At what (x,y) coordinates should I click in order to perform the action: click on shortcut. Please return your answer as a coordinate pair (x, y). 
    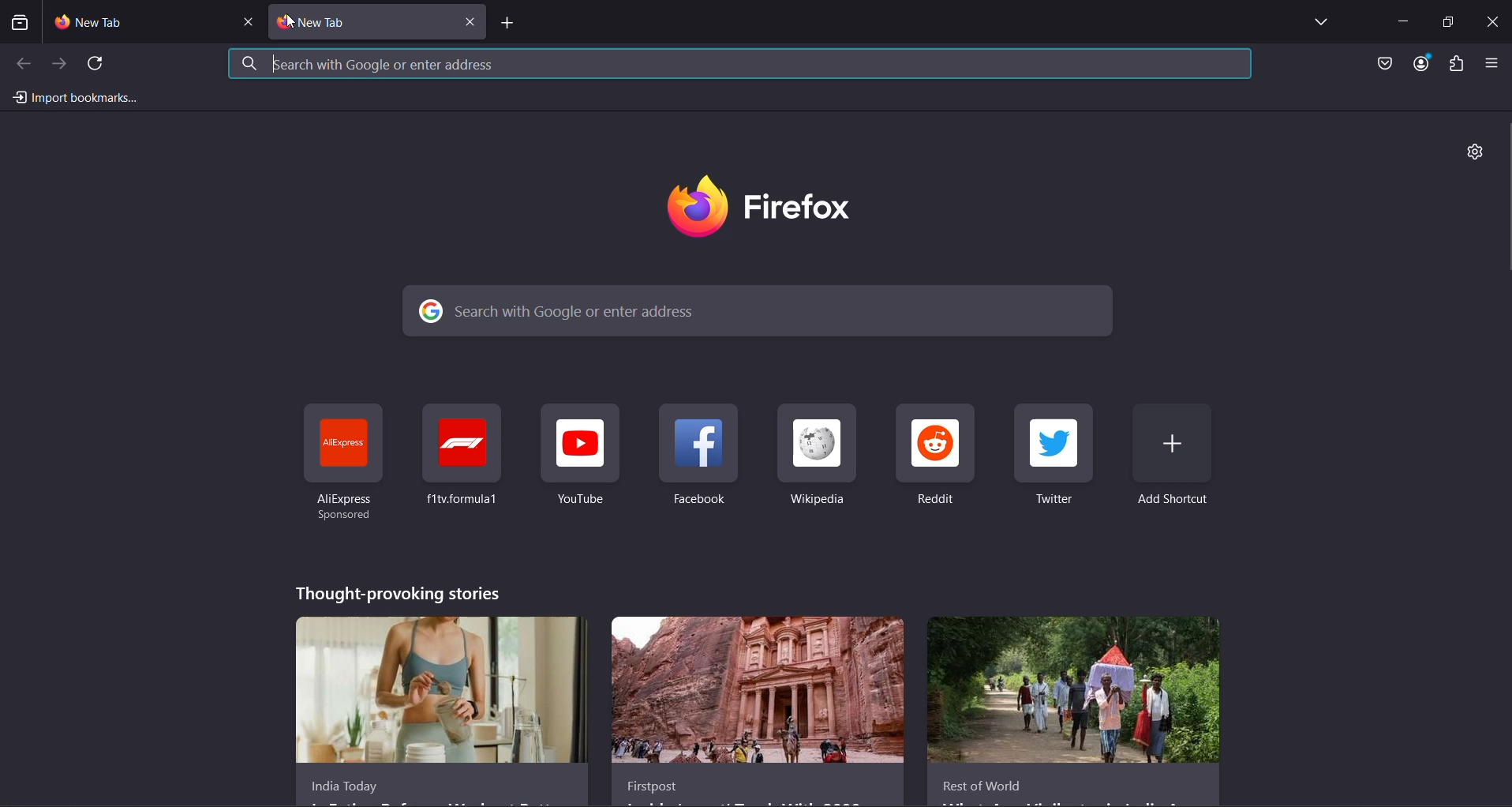
    Looking at the image, I should click on (700, 457).